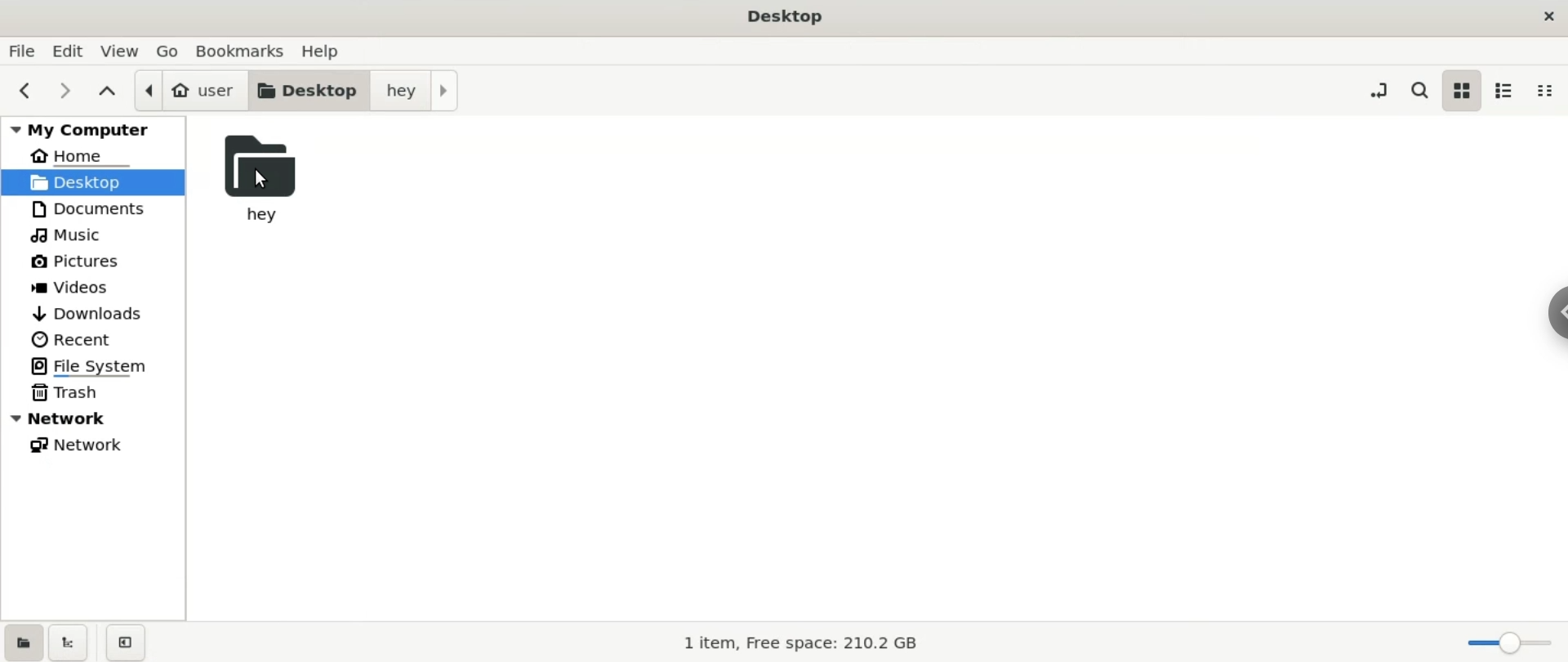  I want to click on videos, so click(96, 289).